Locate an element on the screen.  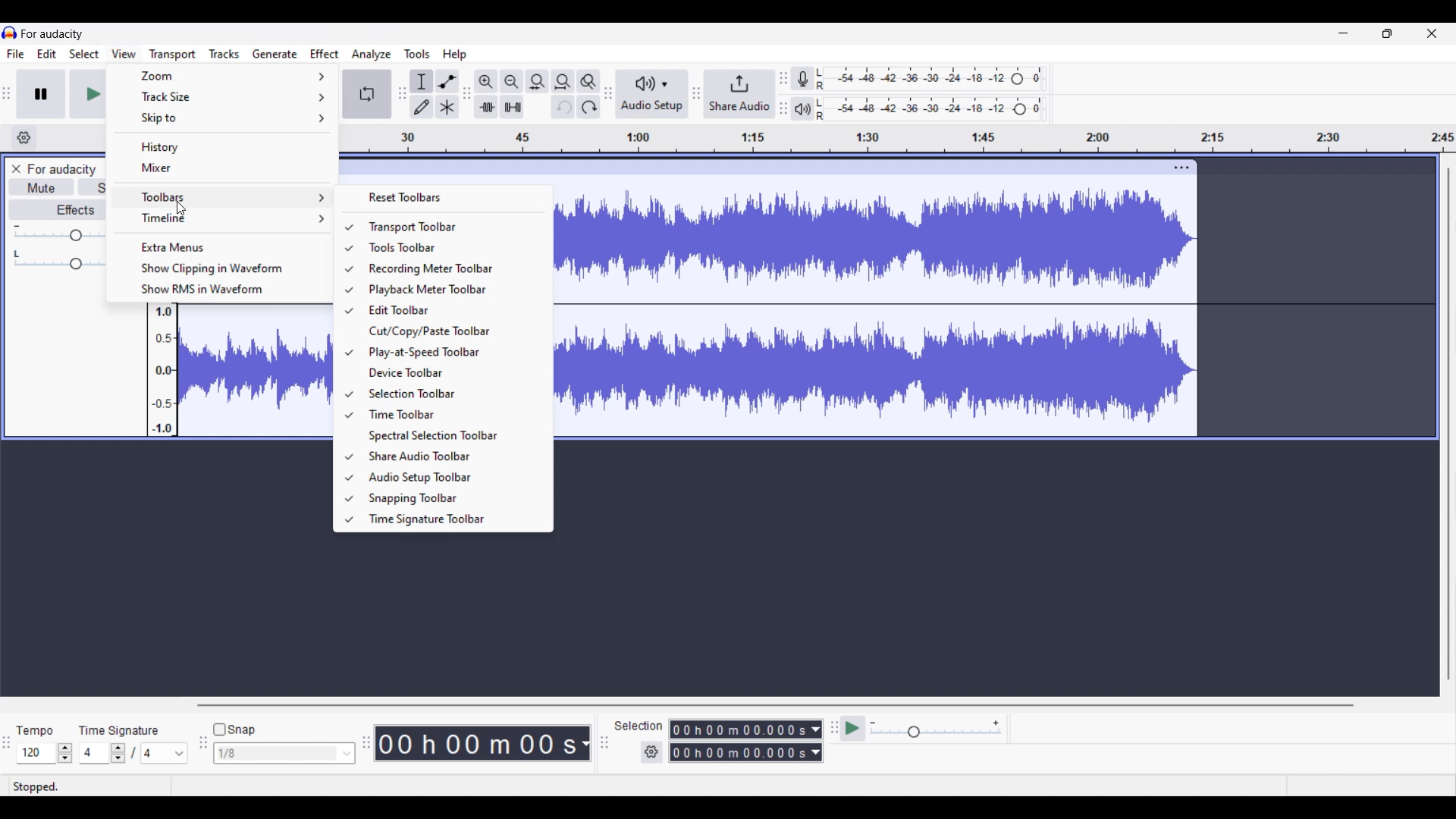
Snapping toolbar is located at coordinates (453, 498).